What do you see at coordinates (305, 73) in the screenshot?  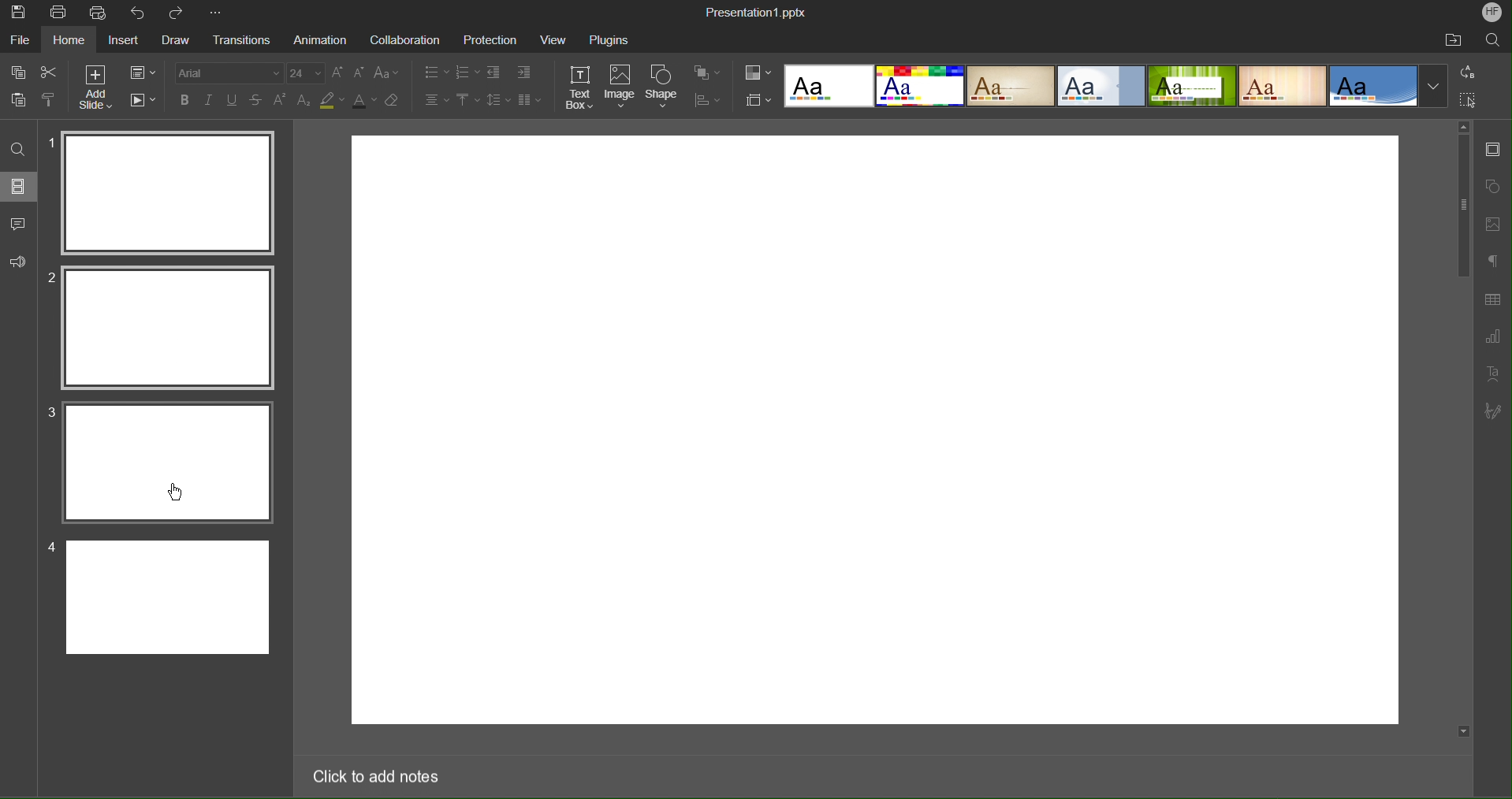 I see `font size` at bounding box center [305, 73].